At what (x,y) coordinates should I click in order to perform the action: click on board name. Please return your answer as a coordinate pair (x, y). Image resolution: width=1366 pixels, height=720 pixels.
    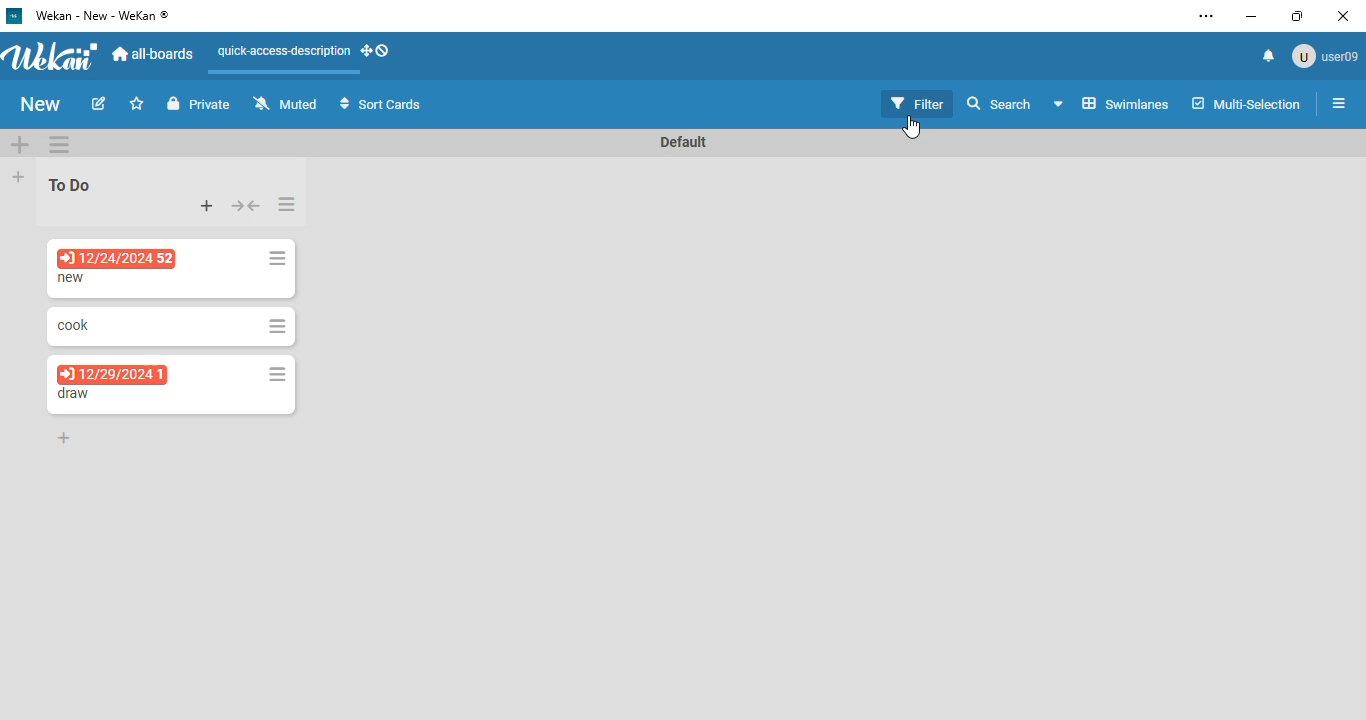
    Looking at the image, I should click on (41, 104).